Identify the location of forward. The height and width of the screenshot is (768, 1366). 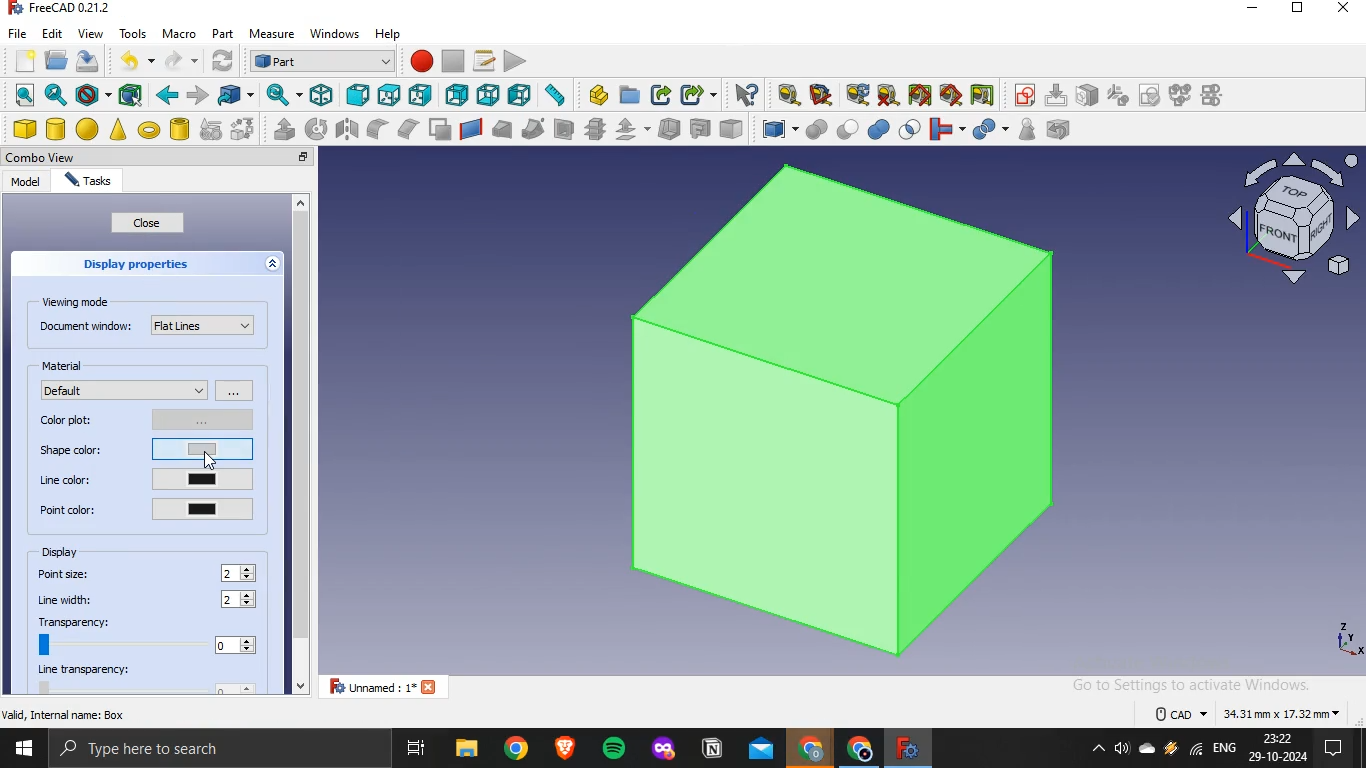
(198, 95).